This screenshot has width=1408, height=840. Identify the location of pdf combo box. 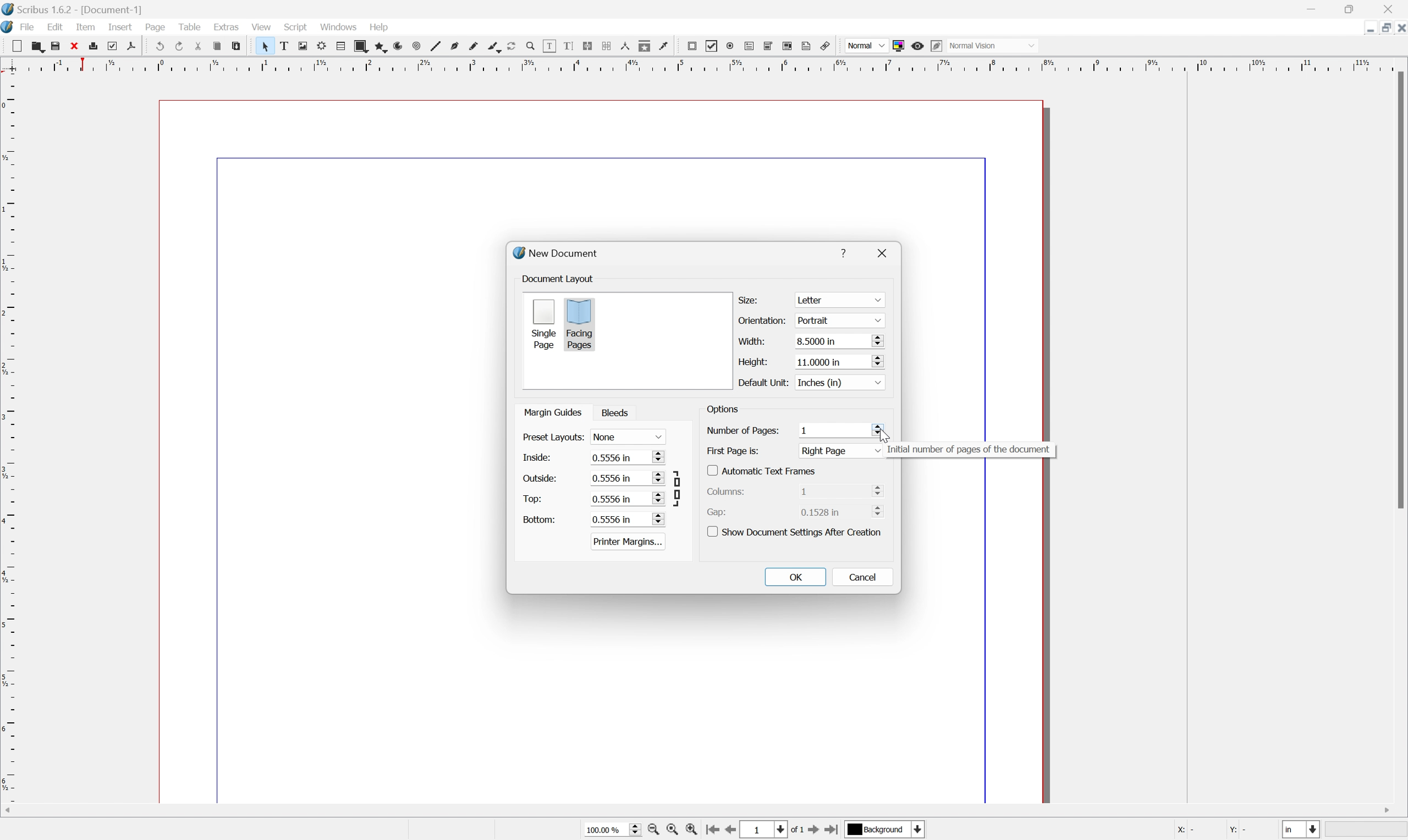
(769, 45).